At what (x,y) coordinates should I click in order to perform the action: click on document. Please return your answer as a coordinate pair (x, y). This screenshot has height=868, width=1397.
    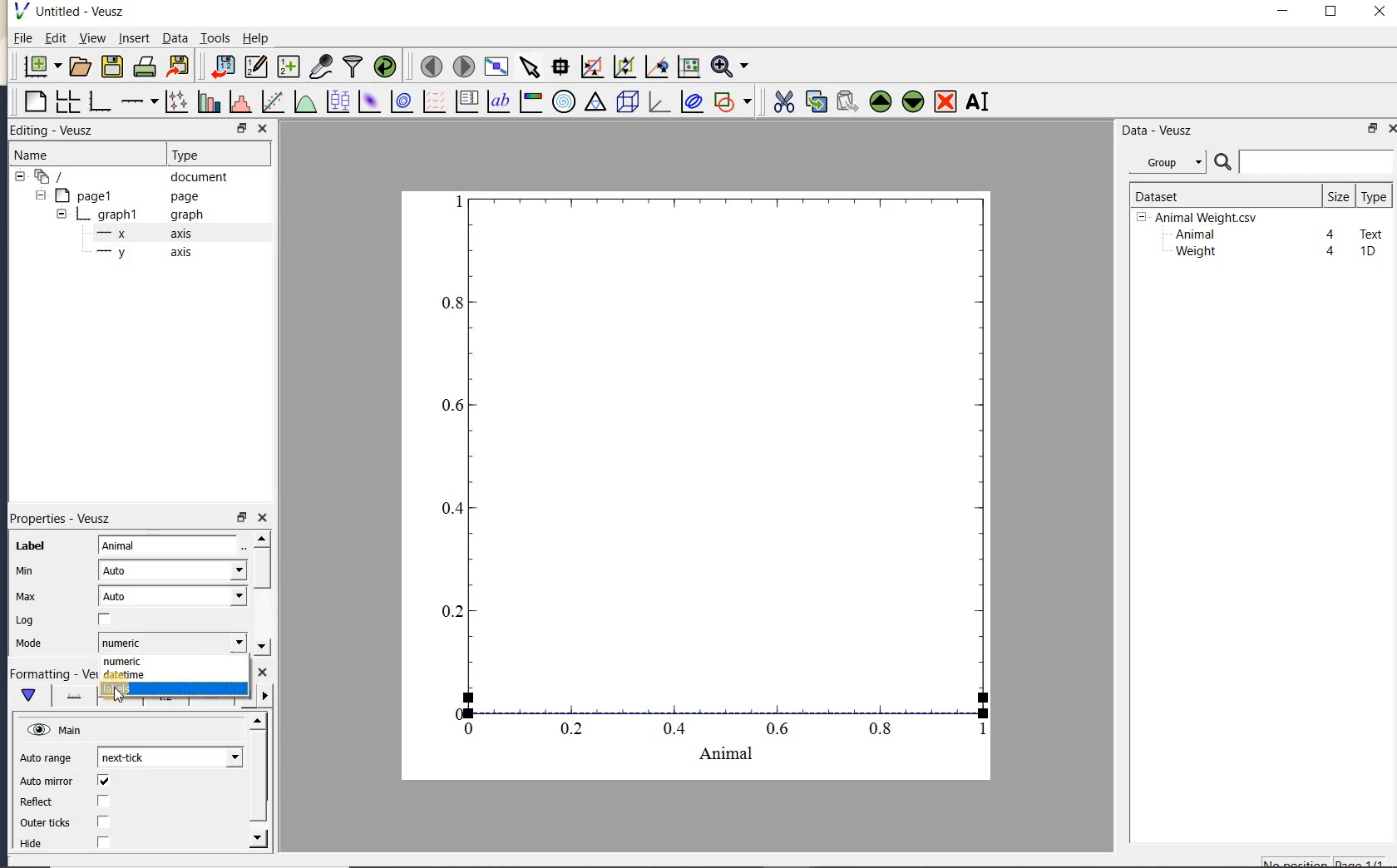
    Looking at the image, I should click on (126, 177).